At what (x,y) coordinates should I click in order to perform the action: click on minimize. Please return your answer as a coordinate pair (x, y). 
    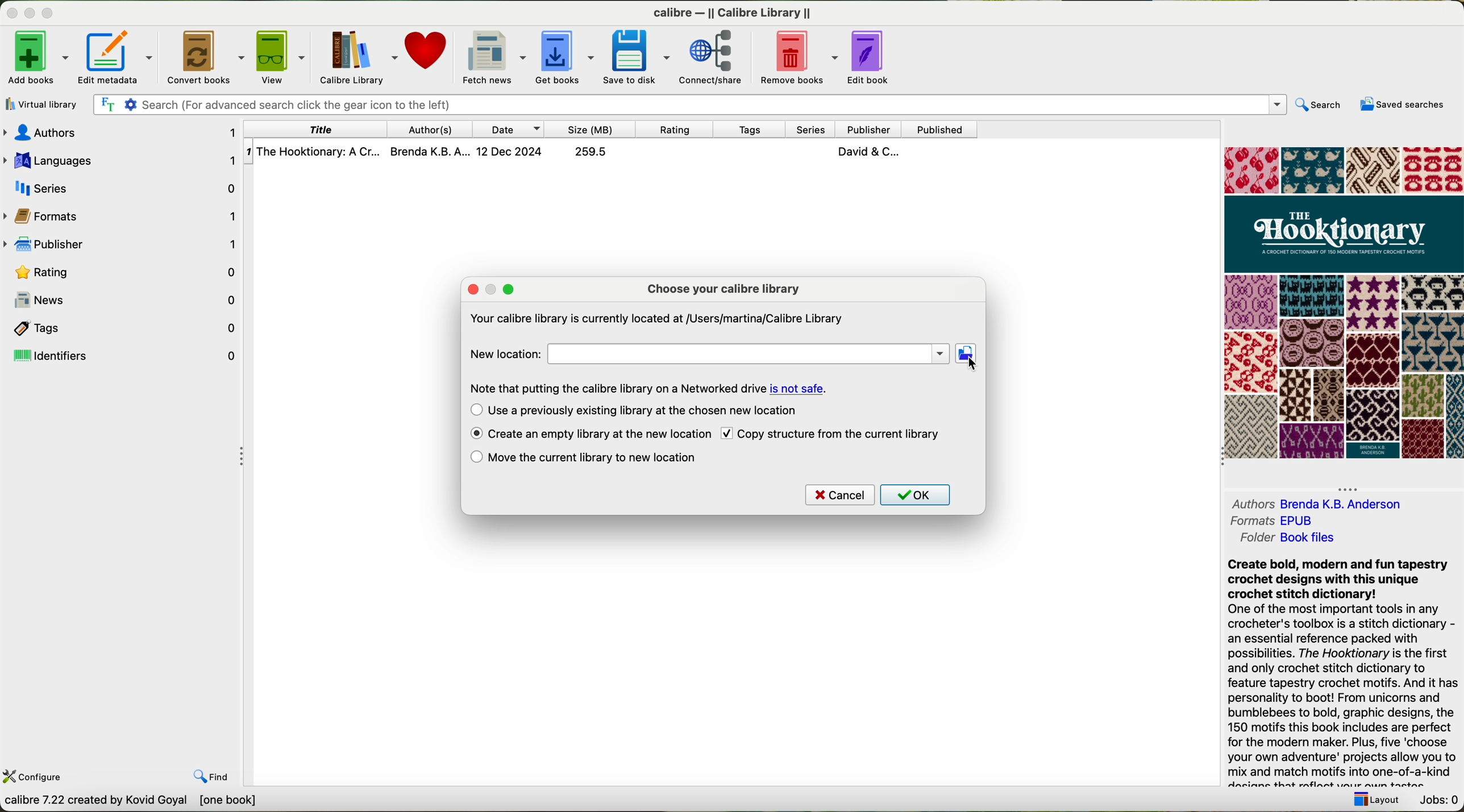
    Looking at the image, I should click on (30, 13).